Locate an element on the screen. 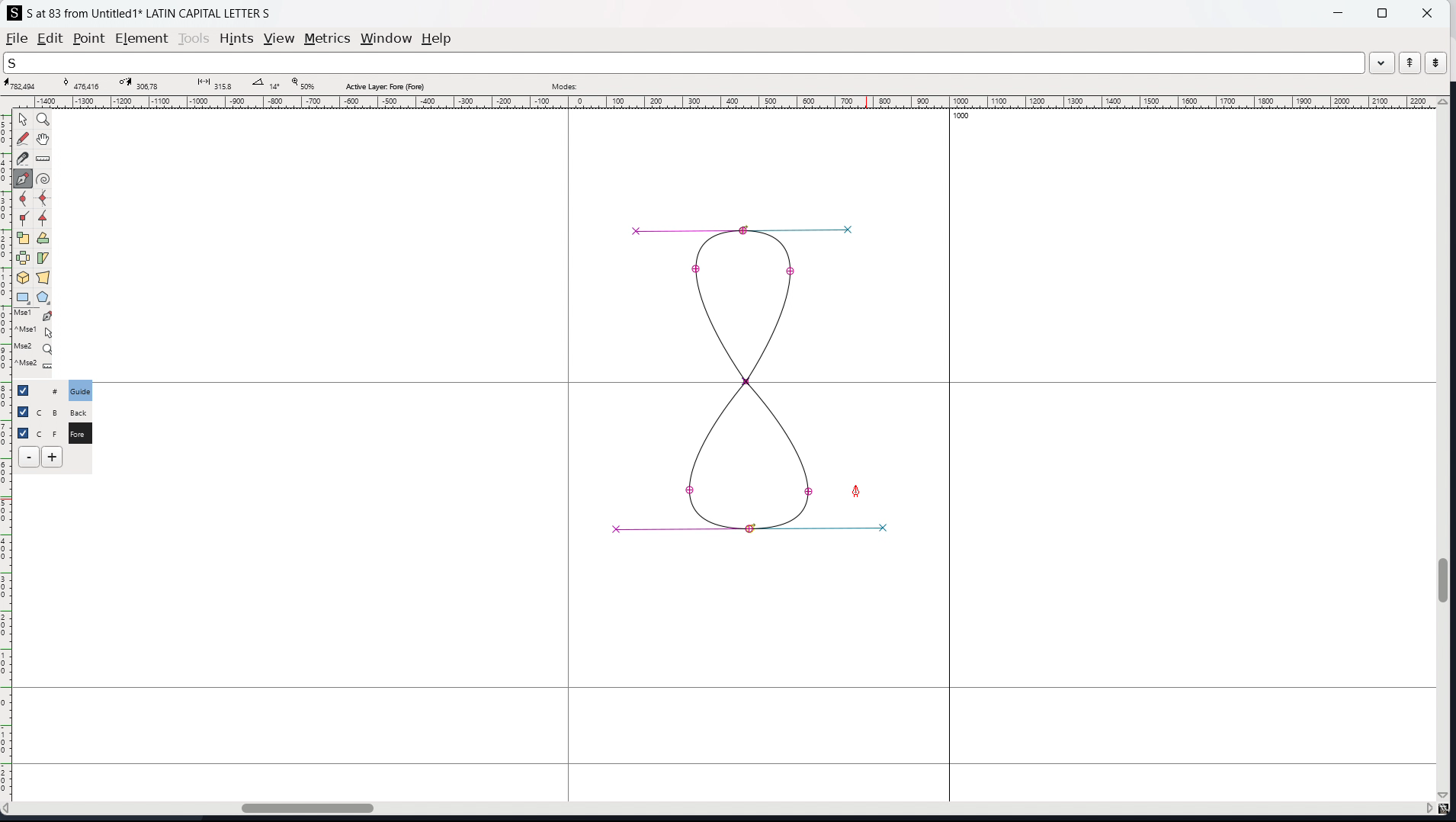 The image size is (1456, 822). toggle spiro is located at coordinates (43, 178).